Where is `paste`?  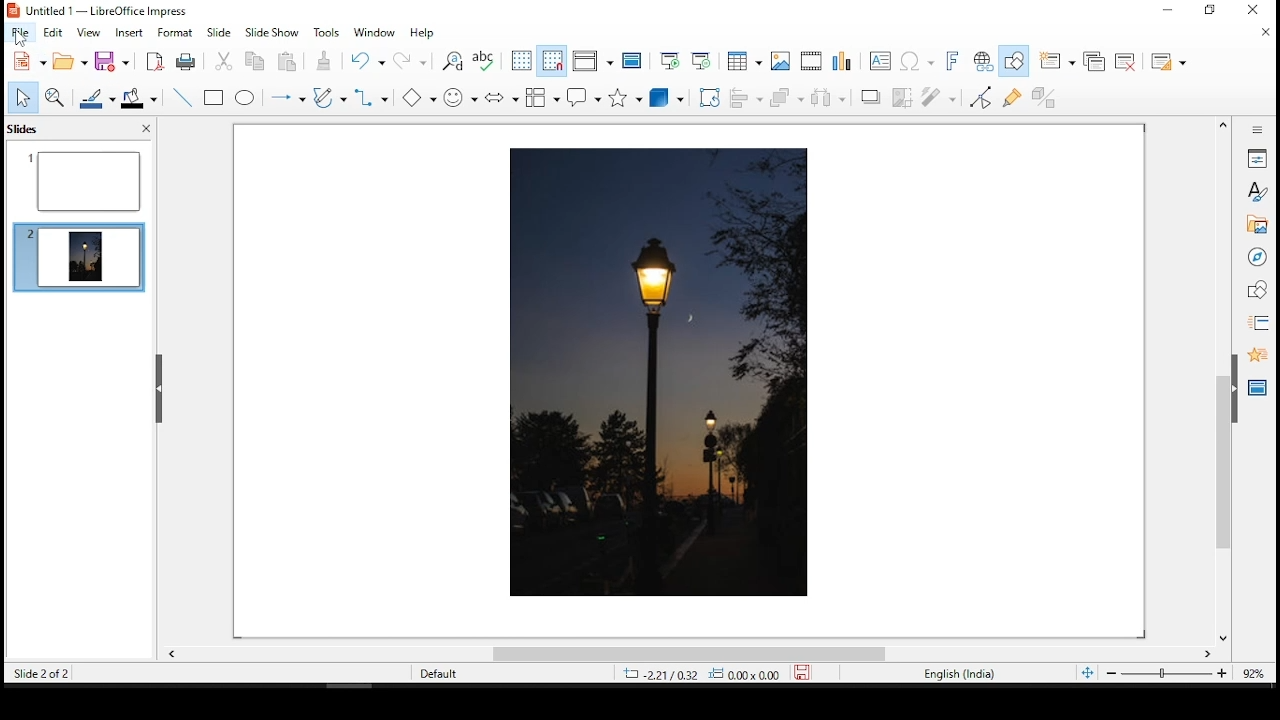 paste is located at coordinates (287, 61).